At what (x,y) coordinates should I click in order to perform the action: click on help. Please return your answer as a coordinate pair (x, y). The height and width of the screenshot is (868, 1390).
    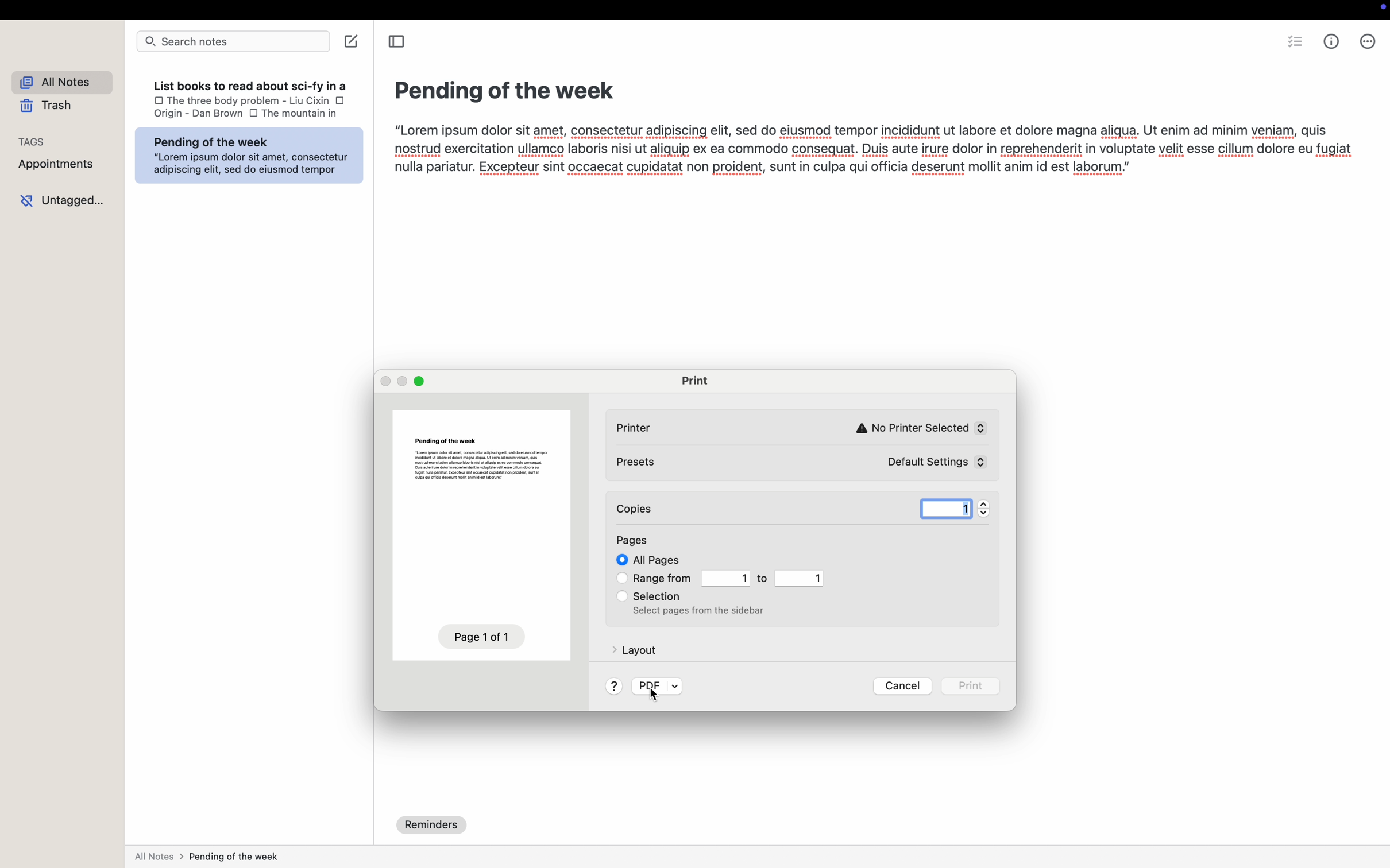
    Looking at the image, I should click on (614, 686).